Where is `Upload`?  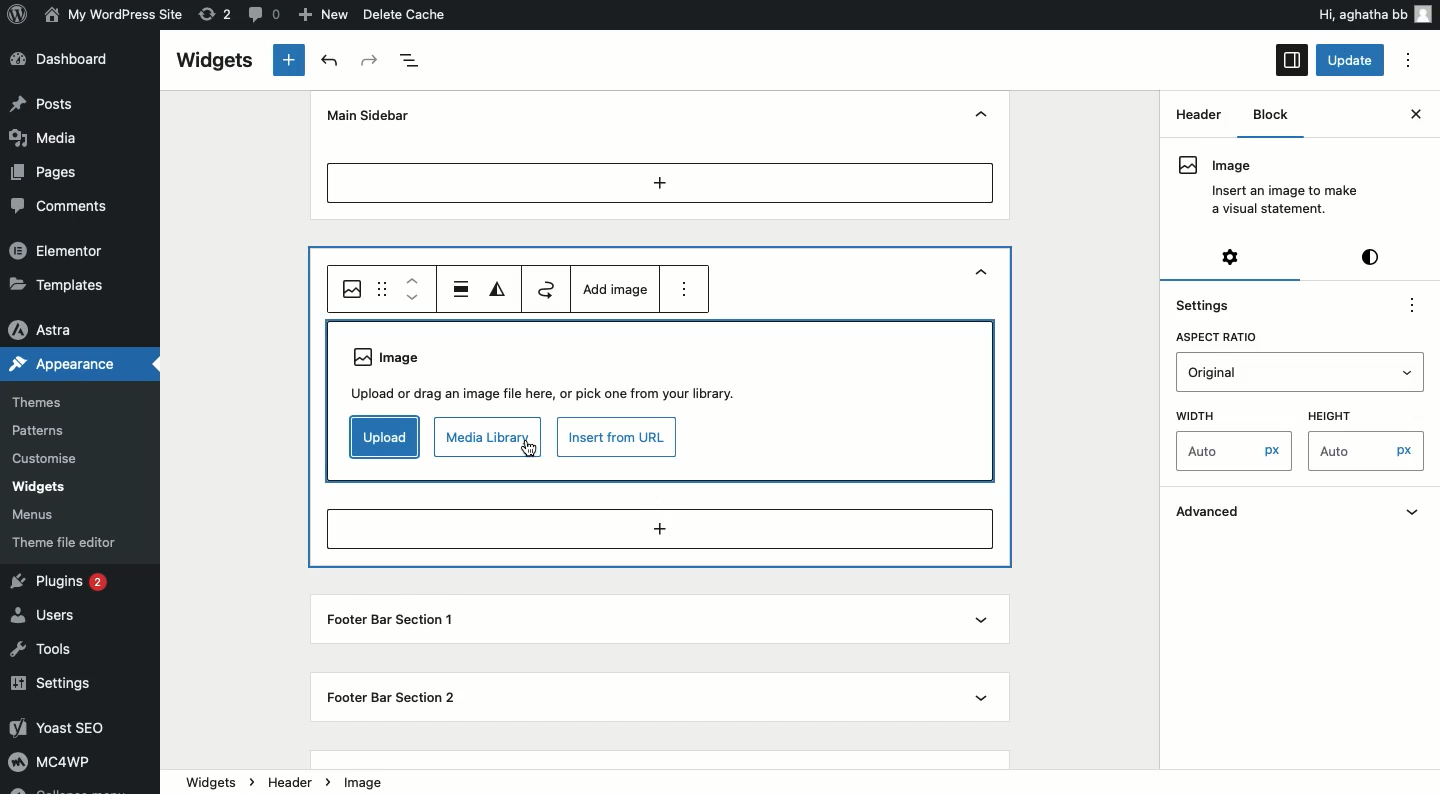 Upload is located at coordinates (382, 437).